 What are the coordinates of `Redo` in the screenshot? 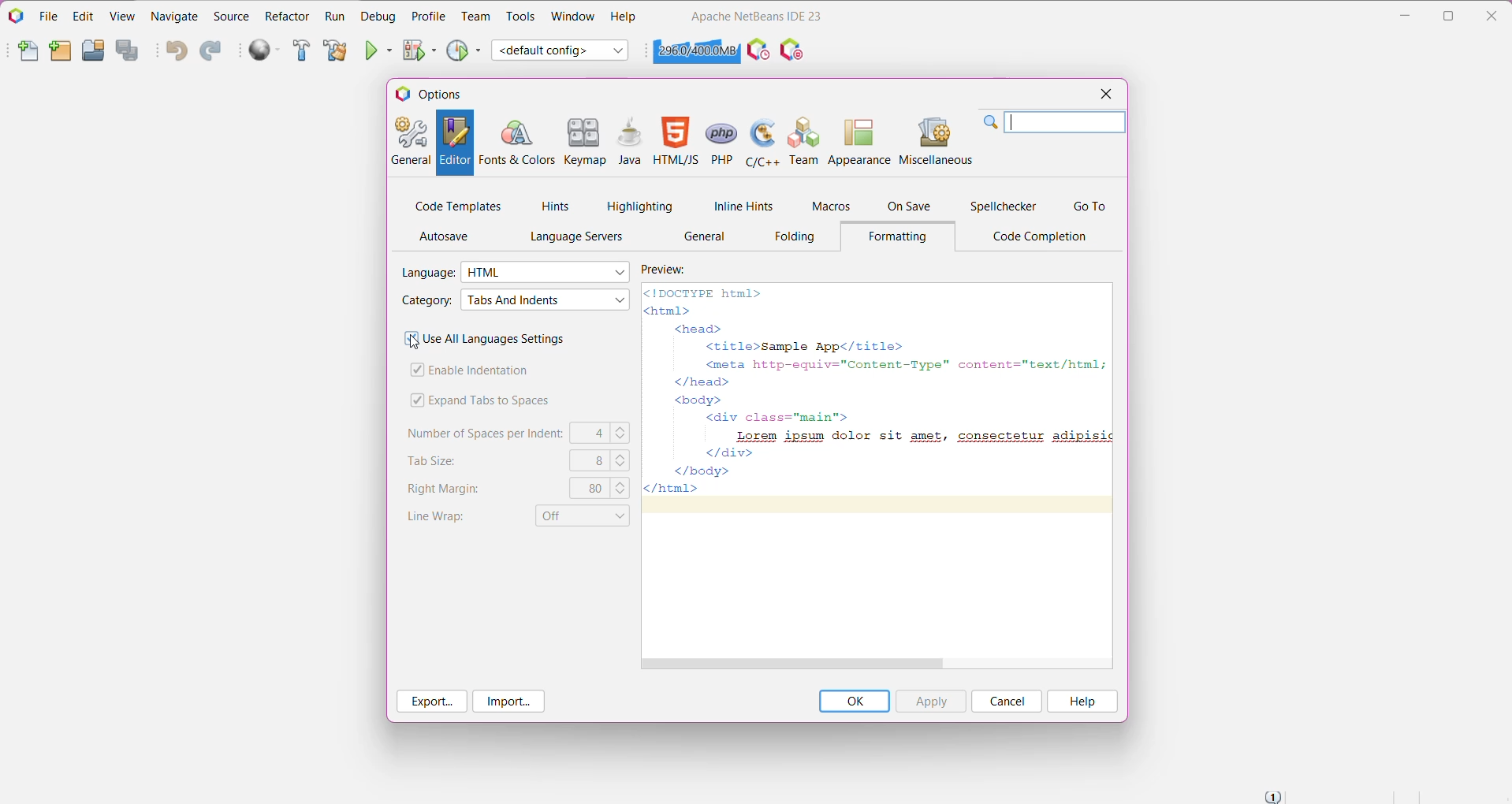 It's located at (210, 52).